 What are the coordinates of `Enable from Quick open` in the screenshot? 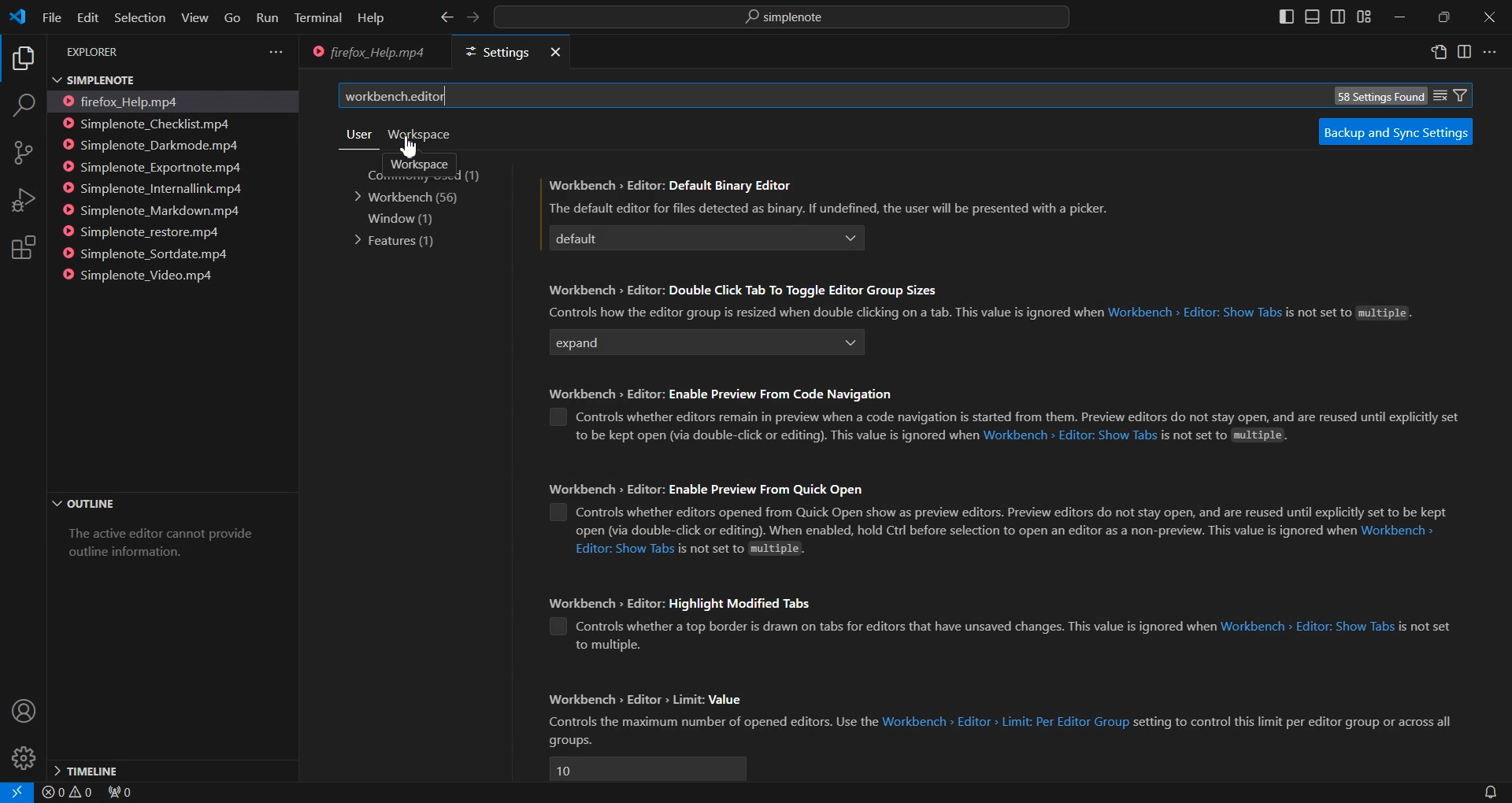 It's located at (556, 513).